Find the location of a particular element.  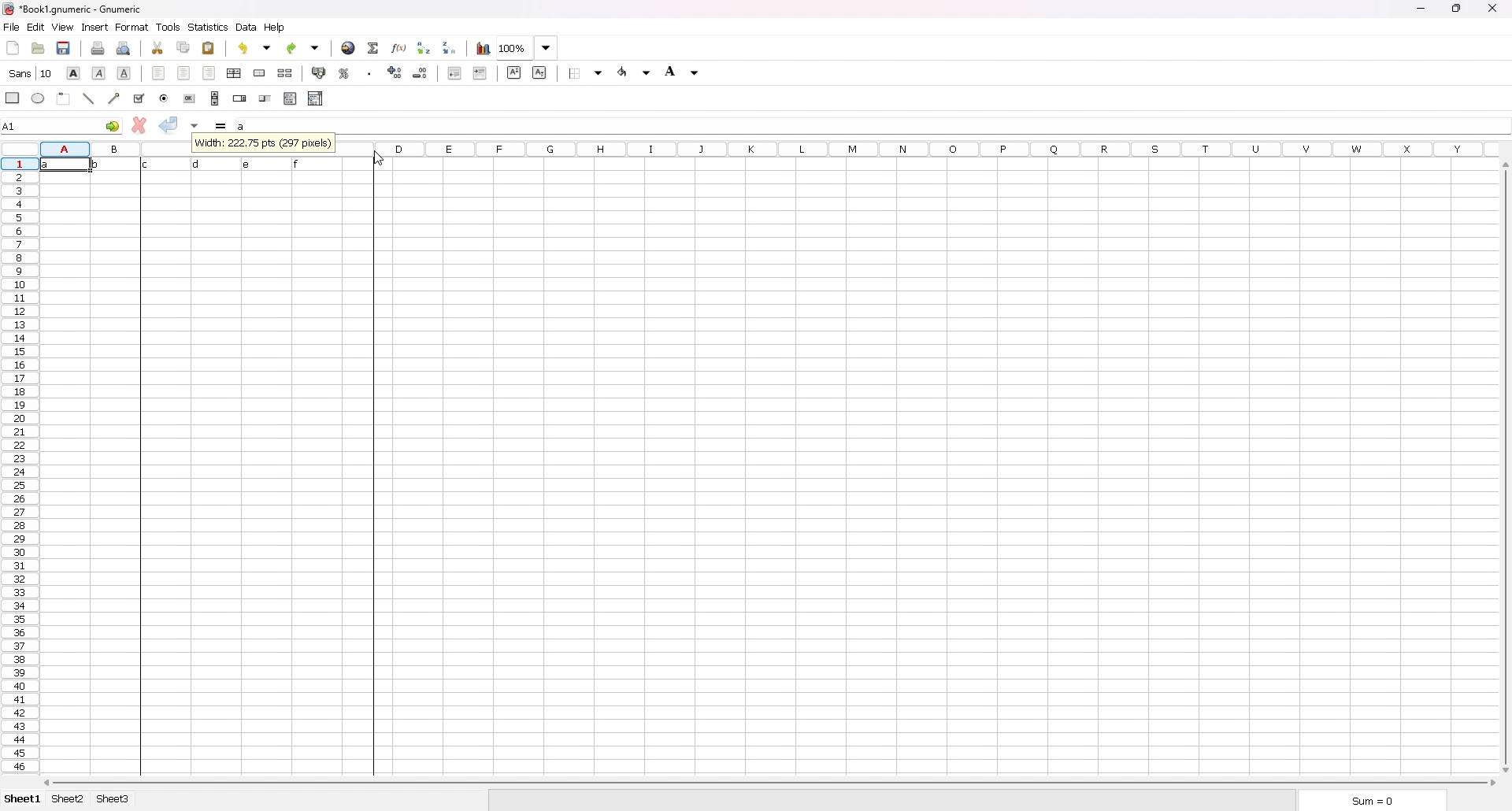

undo is located at coordinates (257, 47).